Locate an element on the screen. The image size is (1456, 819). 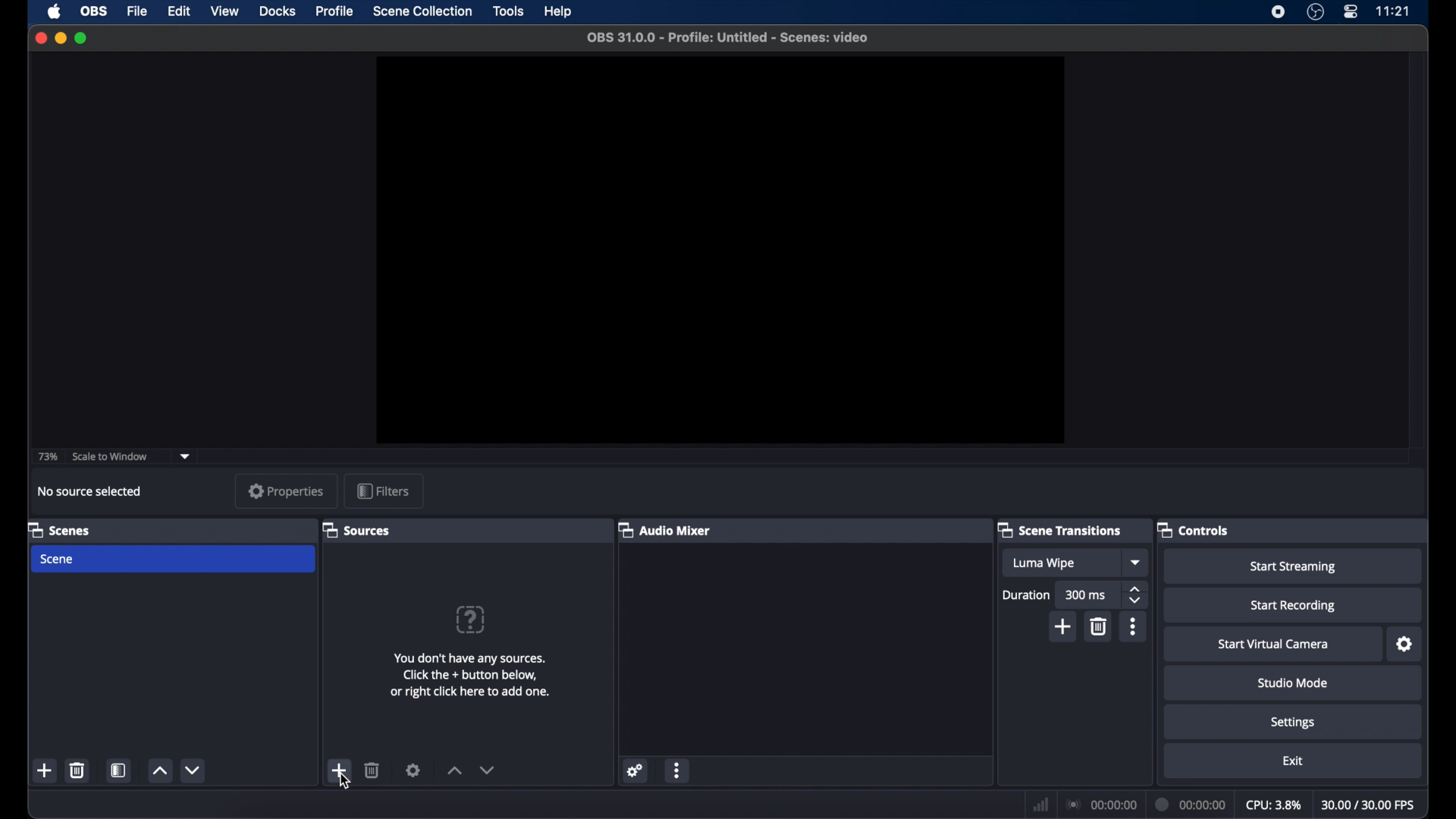
stepper buttons is located at coordinates (1134, 595).